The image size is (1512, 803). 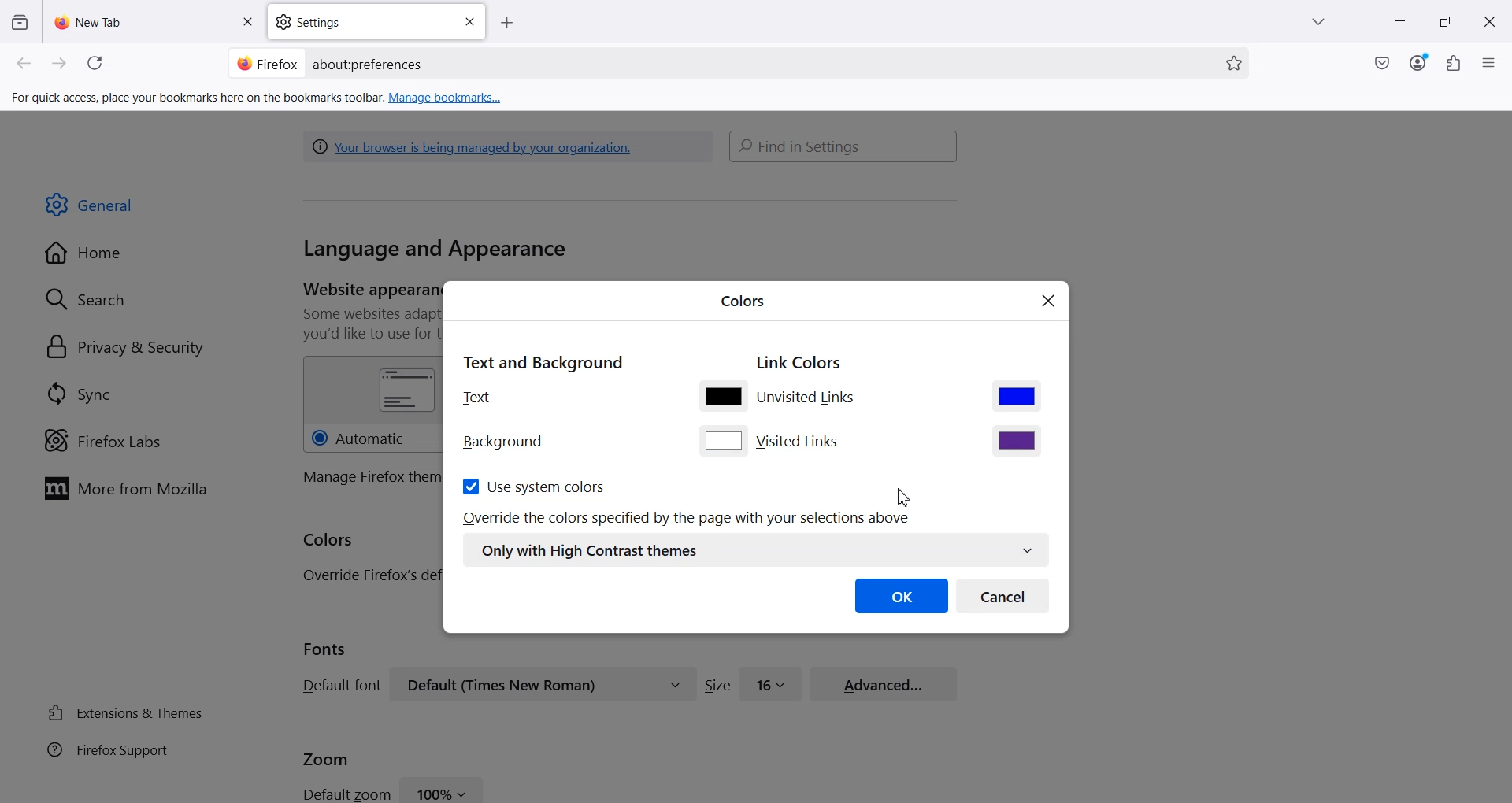 What do you see at coordinates (443, 789) in the screenshot?
I see `100%` at bounding box center [443, 789].